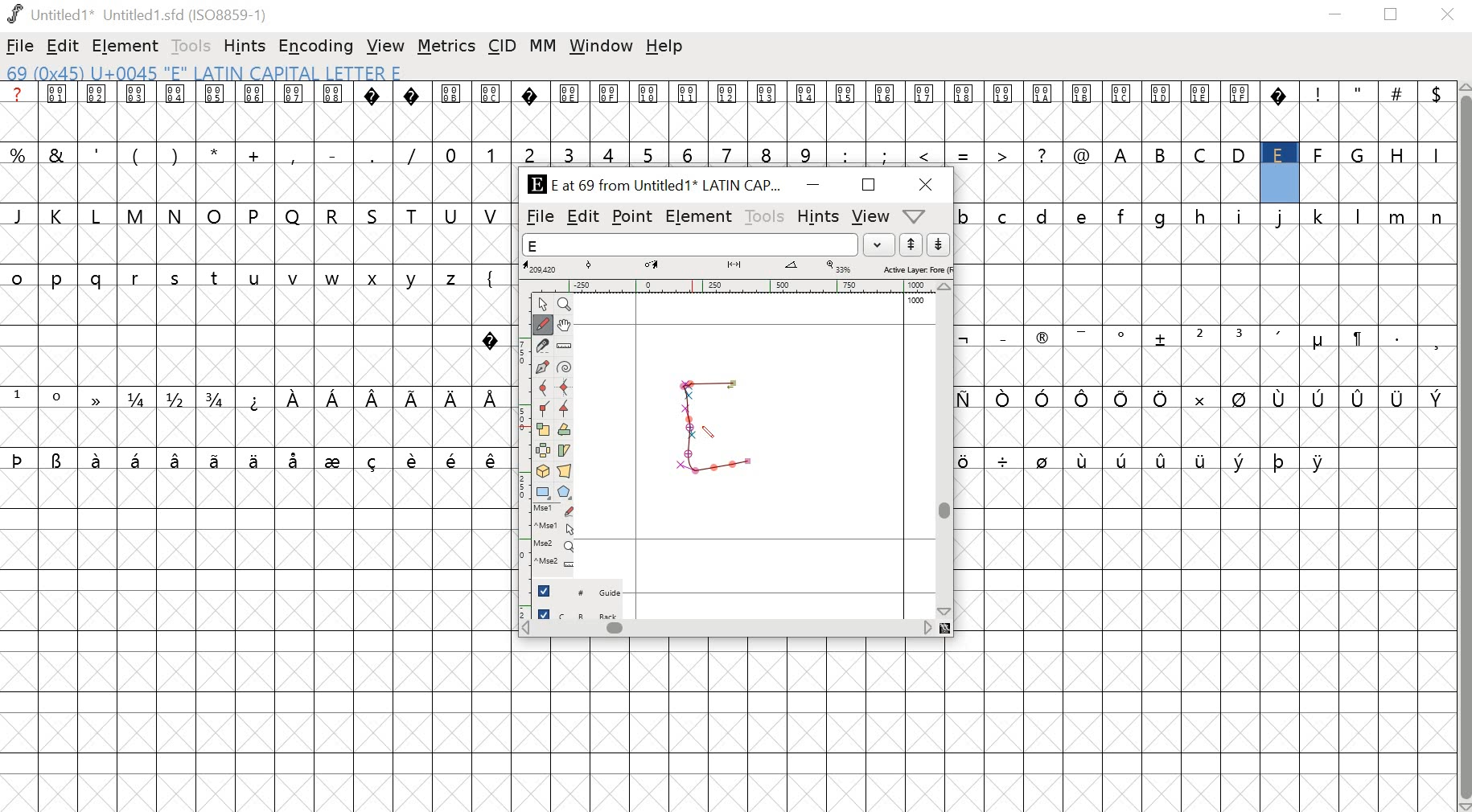 This screenshot has width=1472, height=812. I want to click on Pen, so click(544, 367).